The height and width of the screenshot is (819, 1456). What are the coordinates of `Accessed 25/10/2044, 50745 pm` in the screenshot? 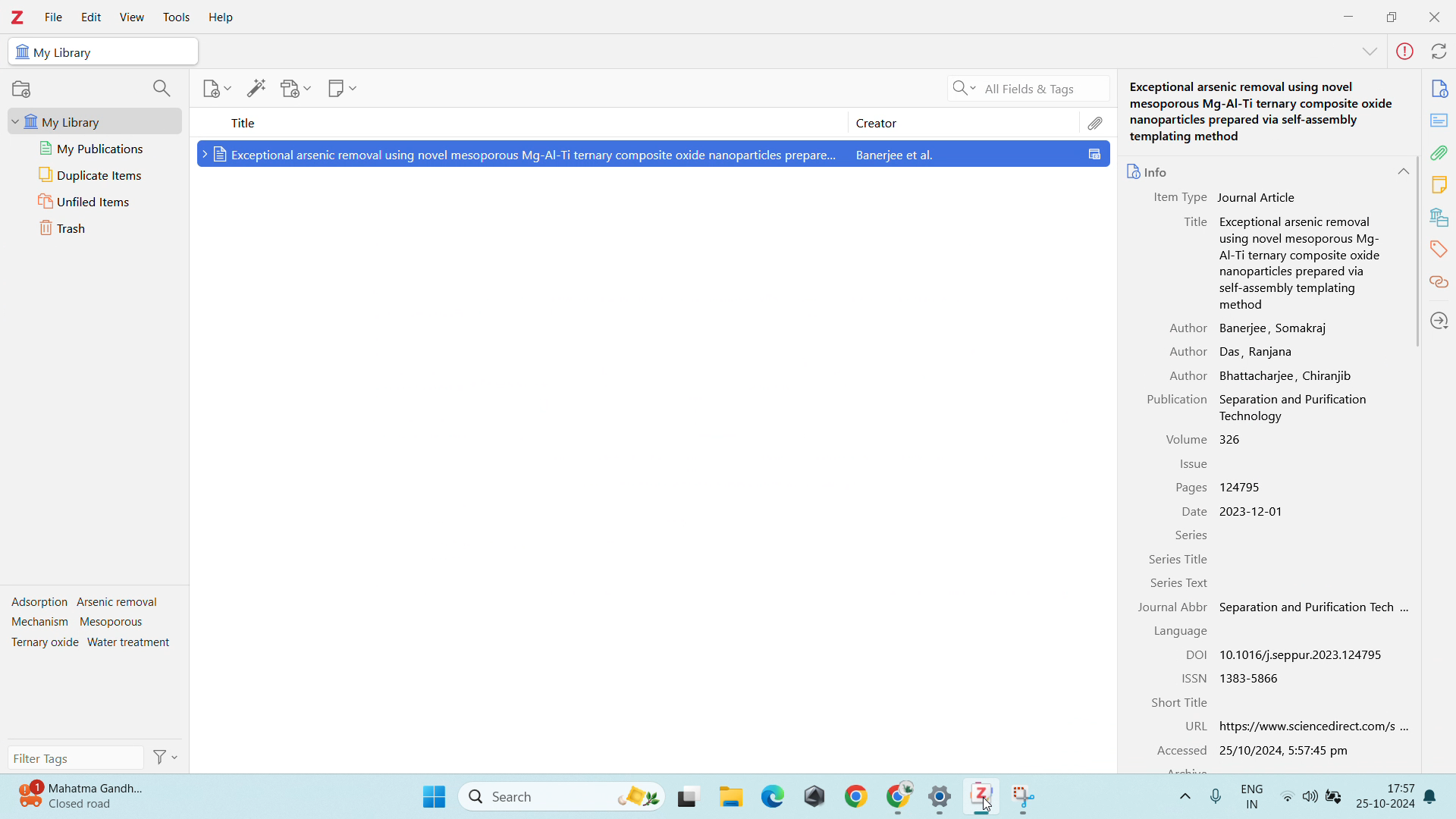 It's located at (1252, 752).